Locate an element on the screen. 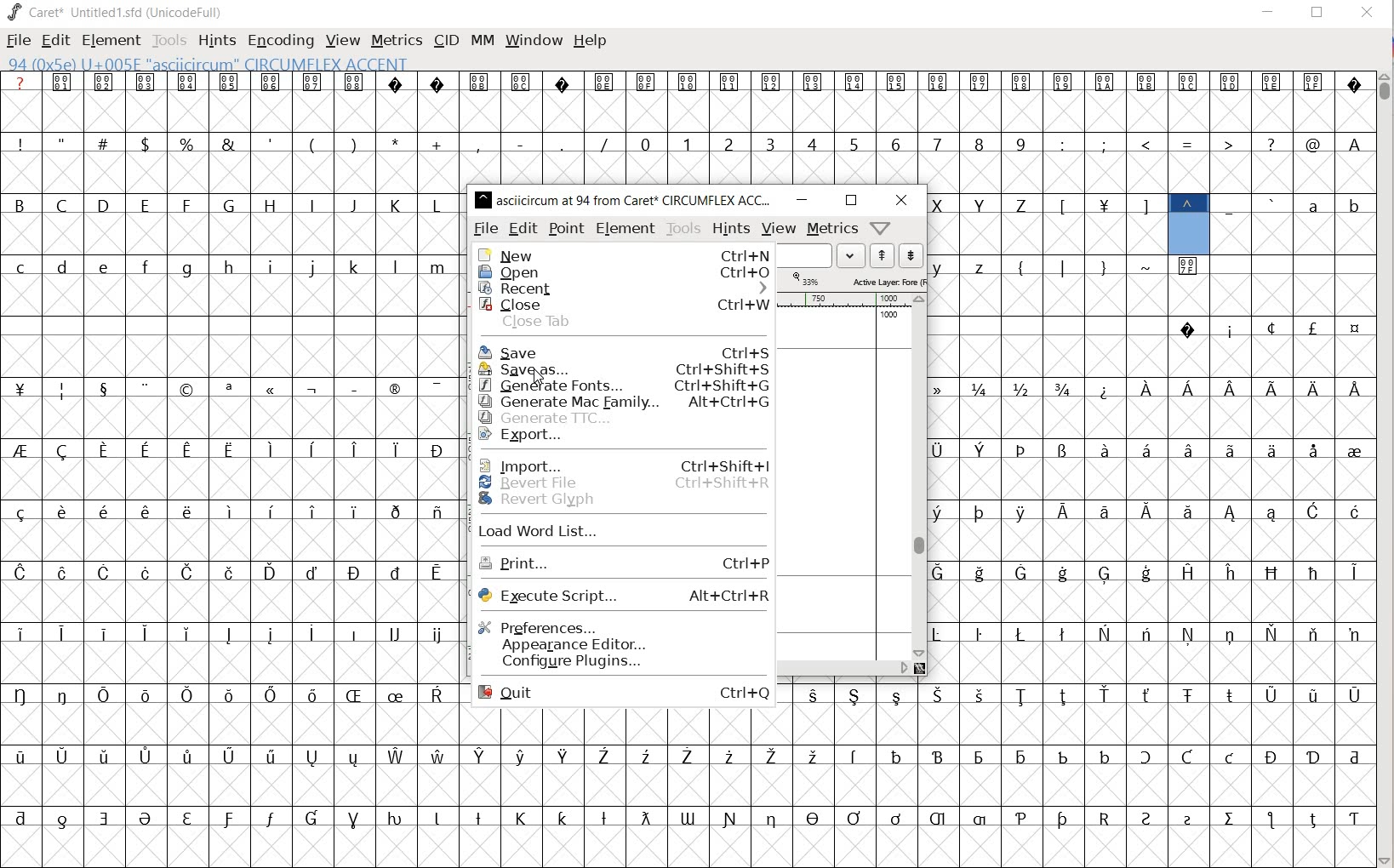  Preferences is located at coordinates (620, 625).